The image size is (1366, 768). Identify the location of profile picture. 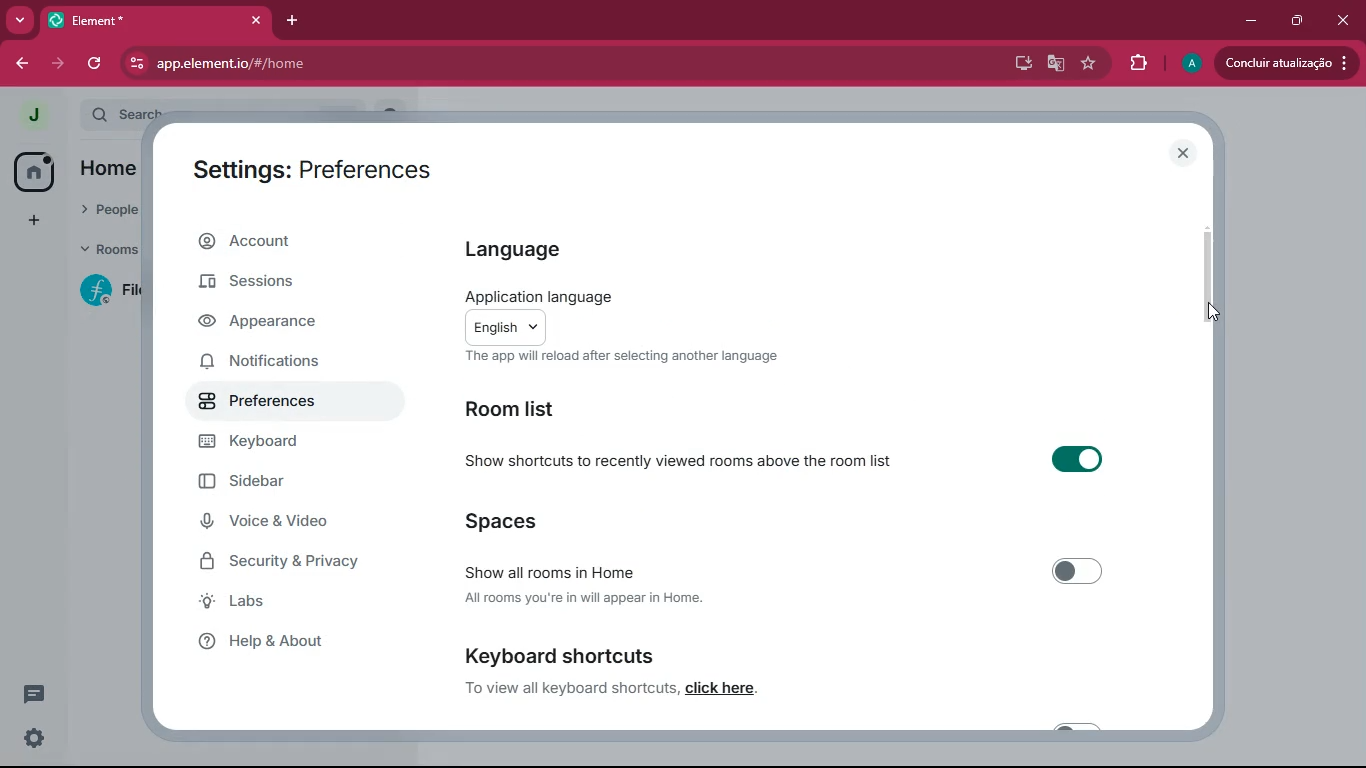
(32, 115).